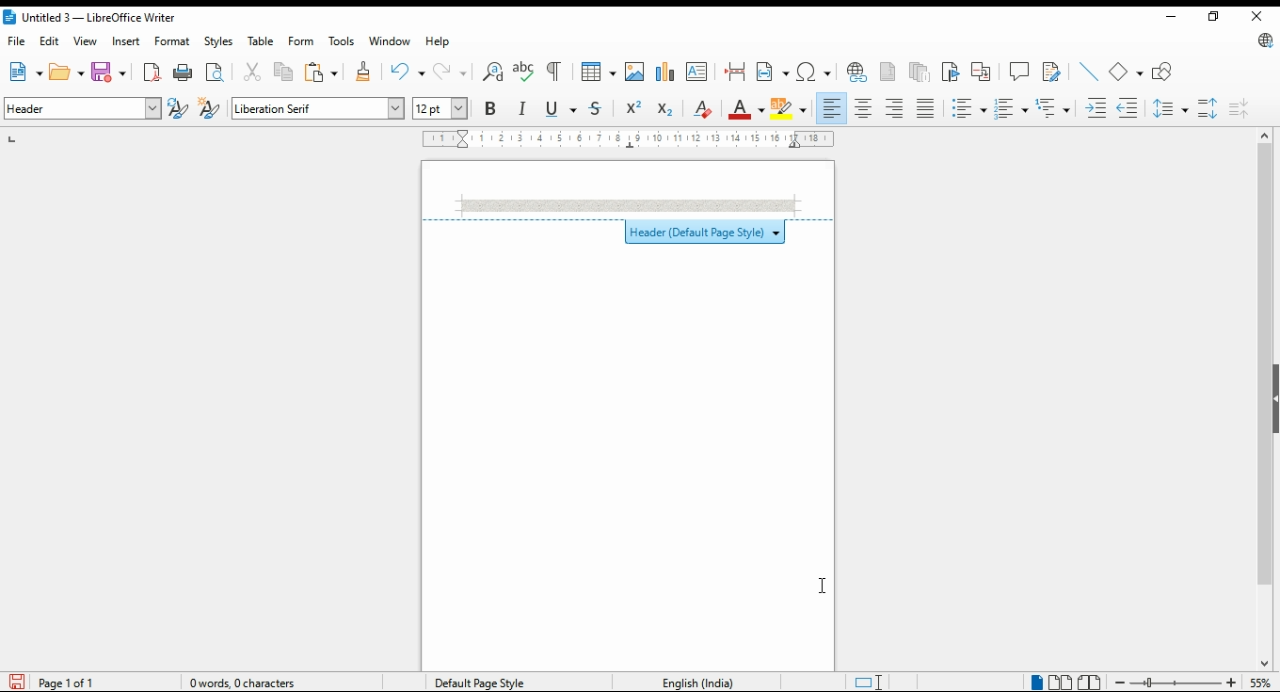 Image resolution: width=1280 pixels, height=692 pixels. Describe the element at coordinates (889, 70) in the screenshot. I see `insert footnote` at that location.